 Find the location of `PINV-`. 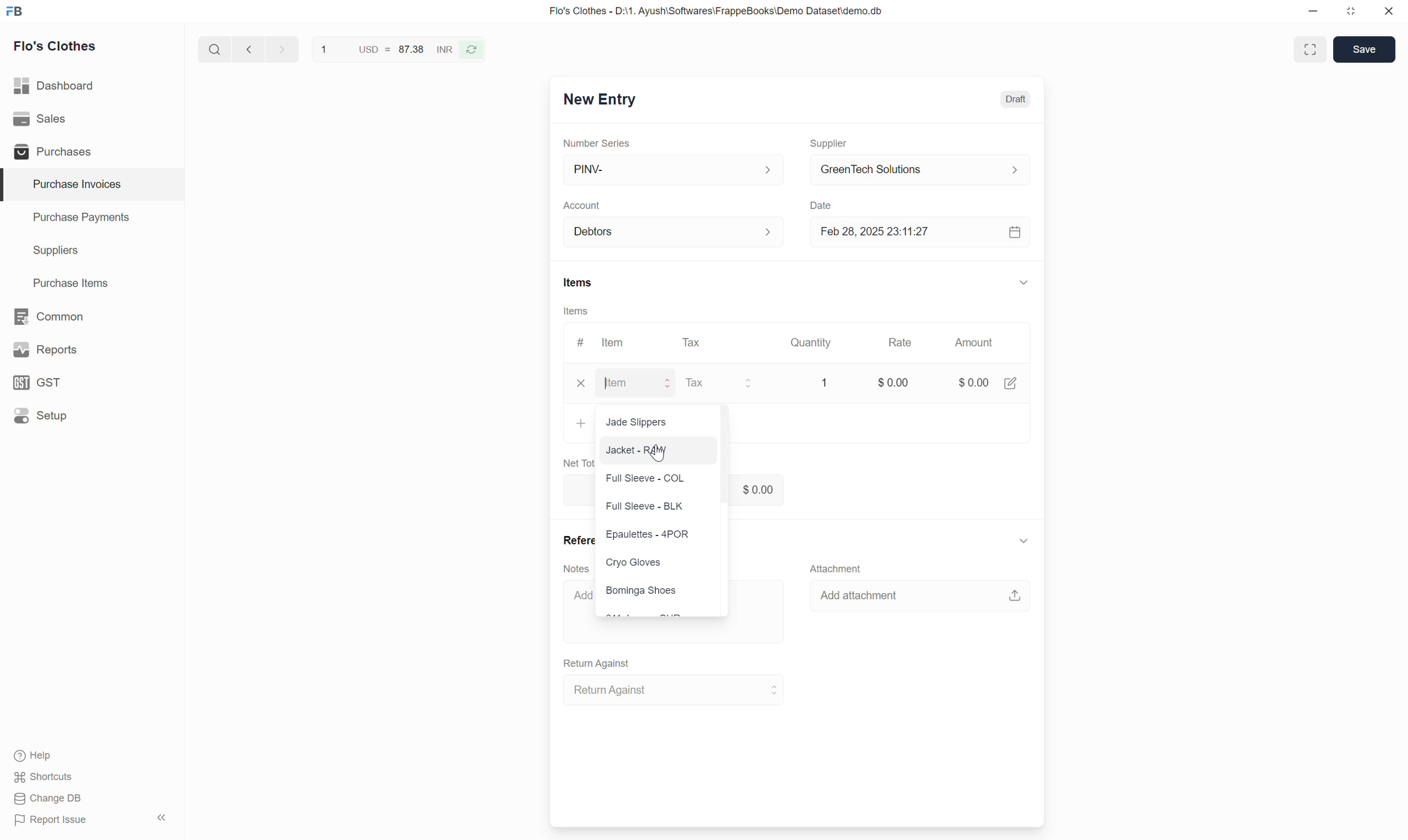

PINV- is located at coordinates (674, 169).